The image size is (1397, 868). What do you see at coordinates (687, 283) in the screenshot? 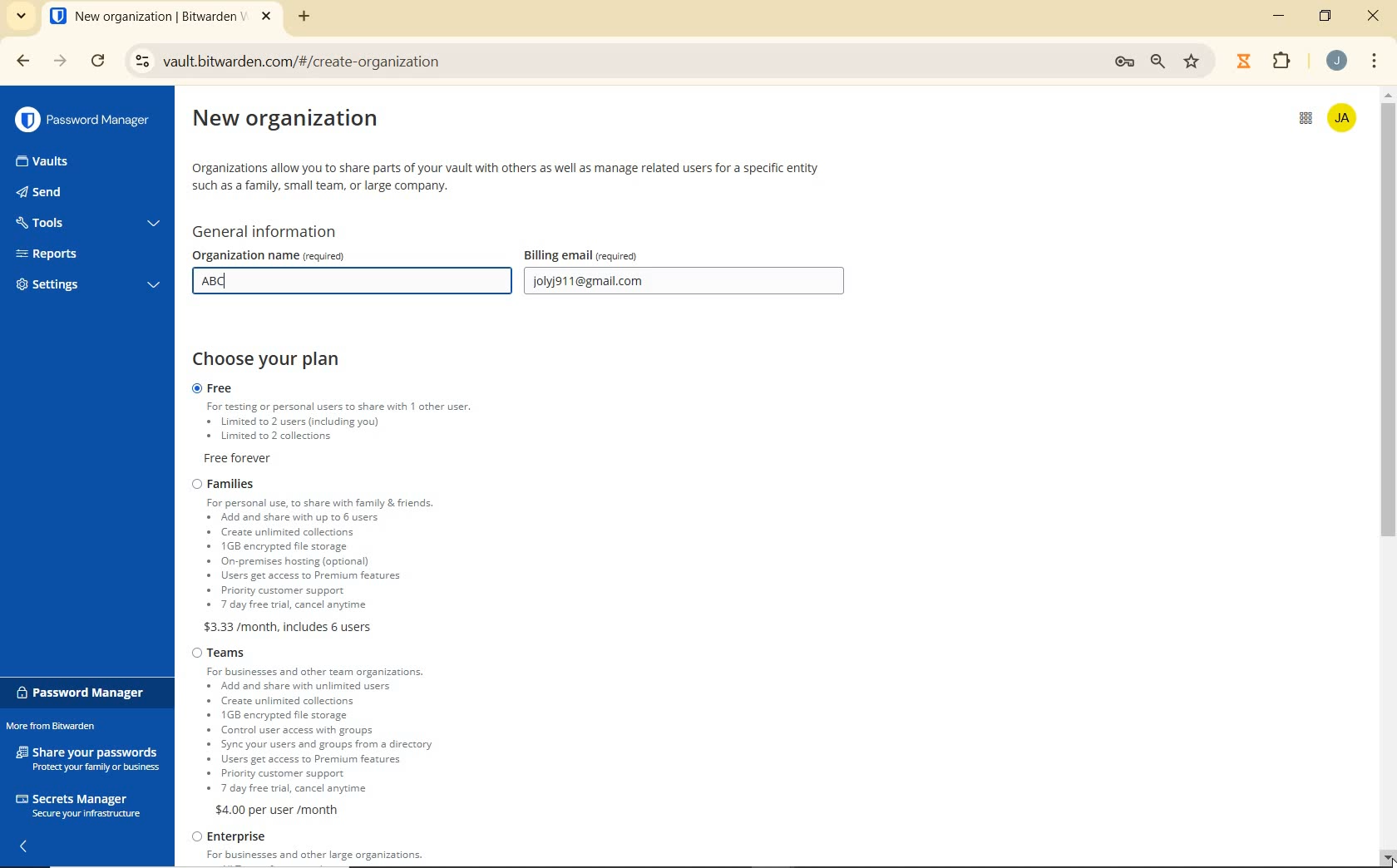
I see `jolyjo11@gmail.com` at bounding box center [687, 283].